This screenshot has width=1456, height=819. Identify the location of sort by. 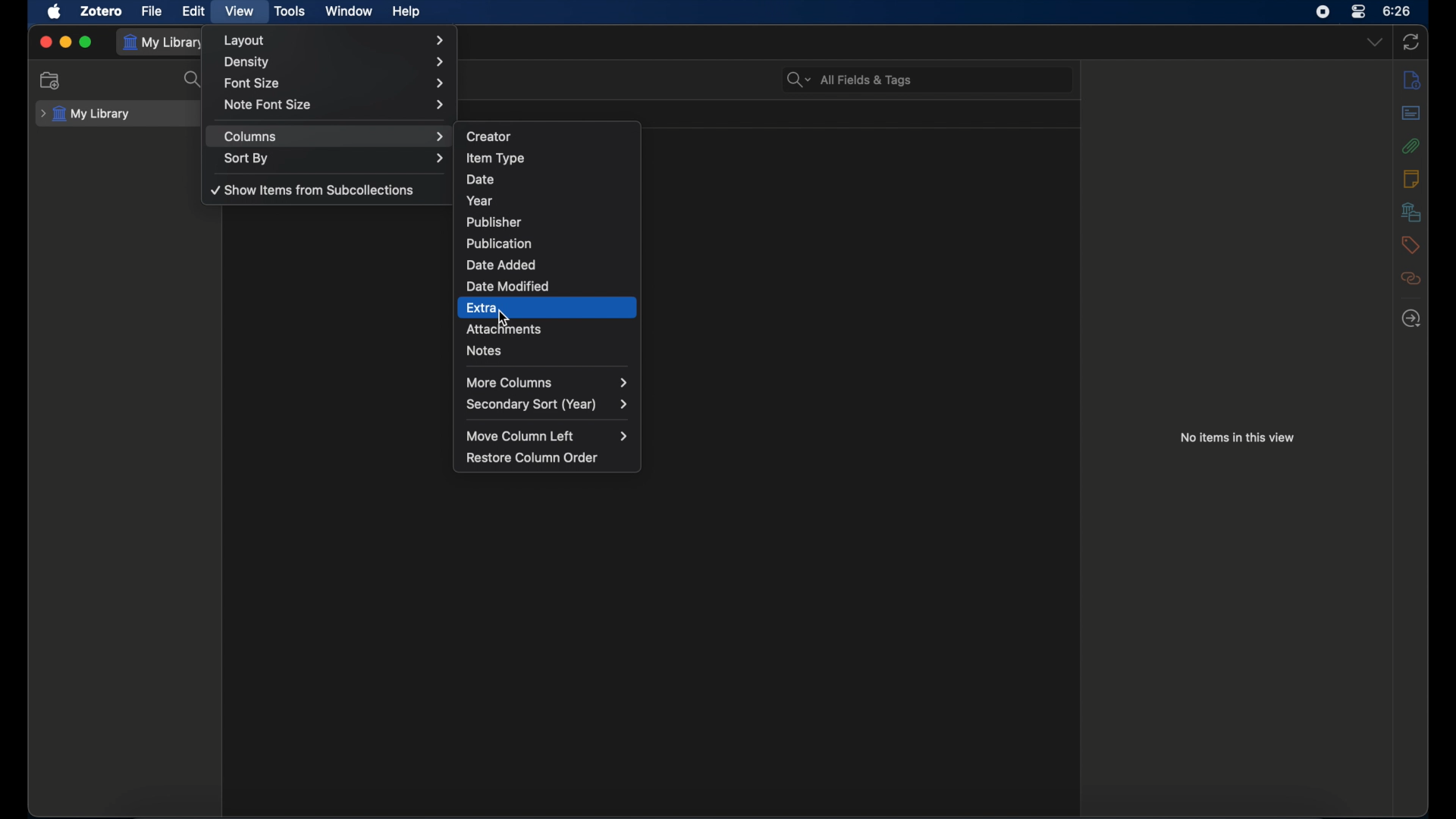
(335, 159).